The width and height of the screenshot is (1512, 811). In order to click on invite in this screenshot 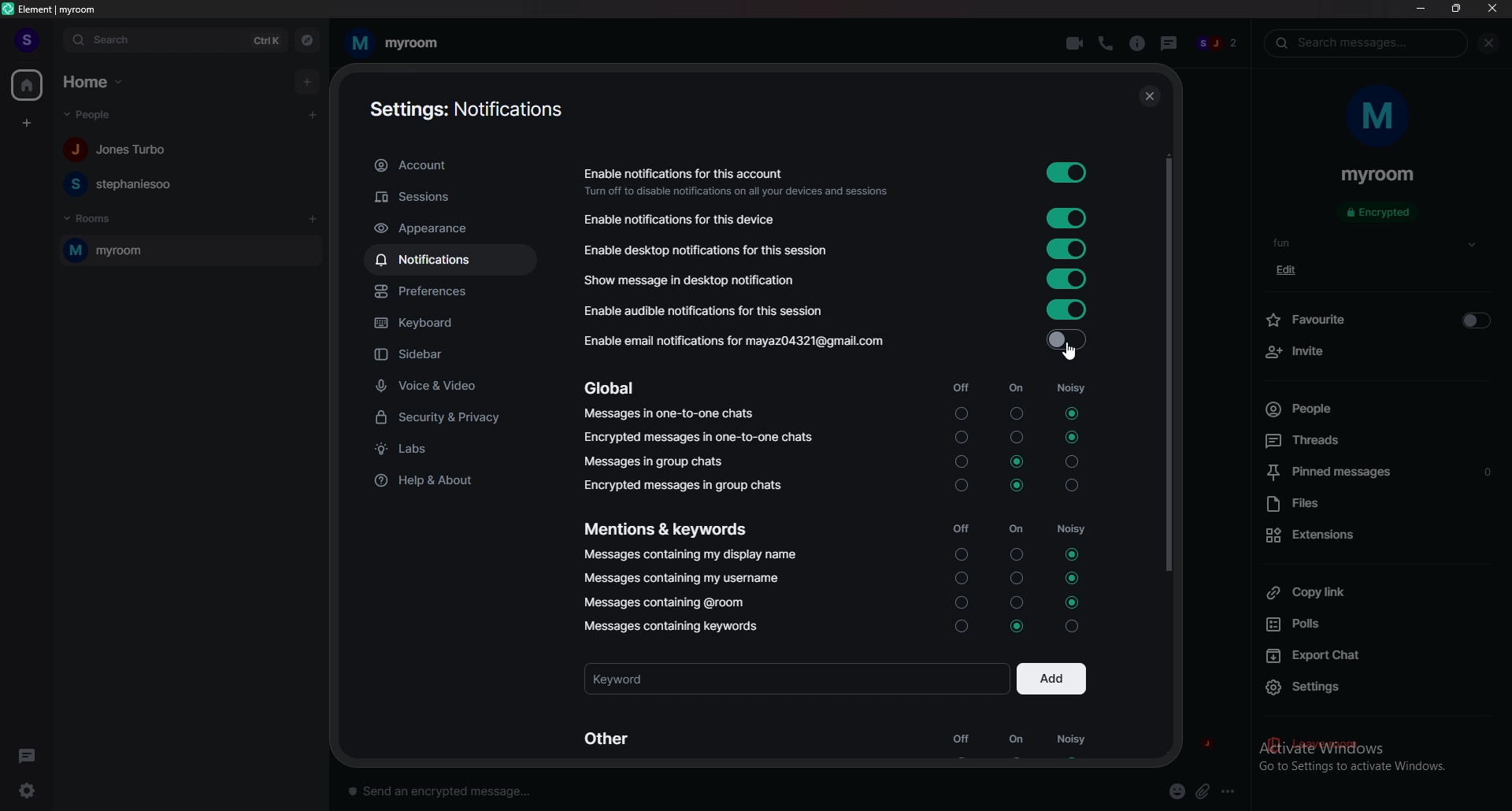, I will do `click(1377, 352)`.